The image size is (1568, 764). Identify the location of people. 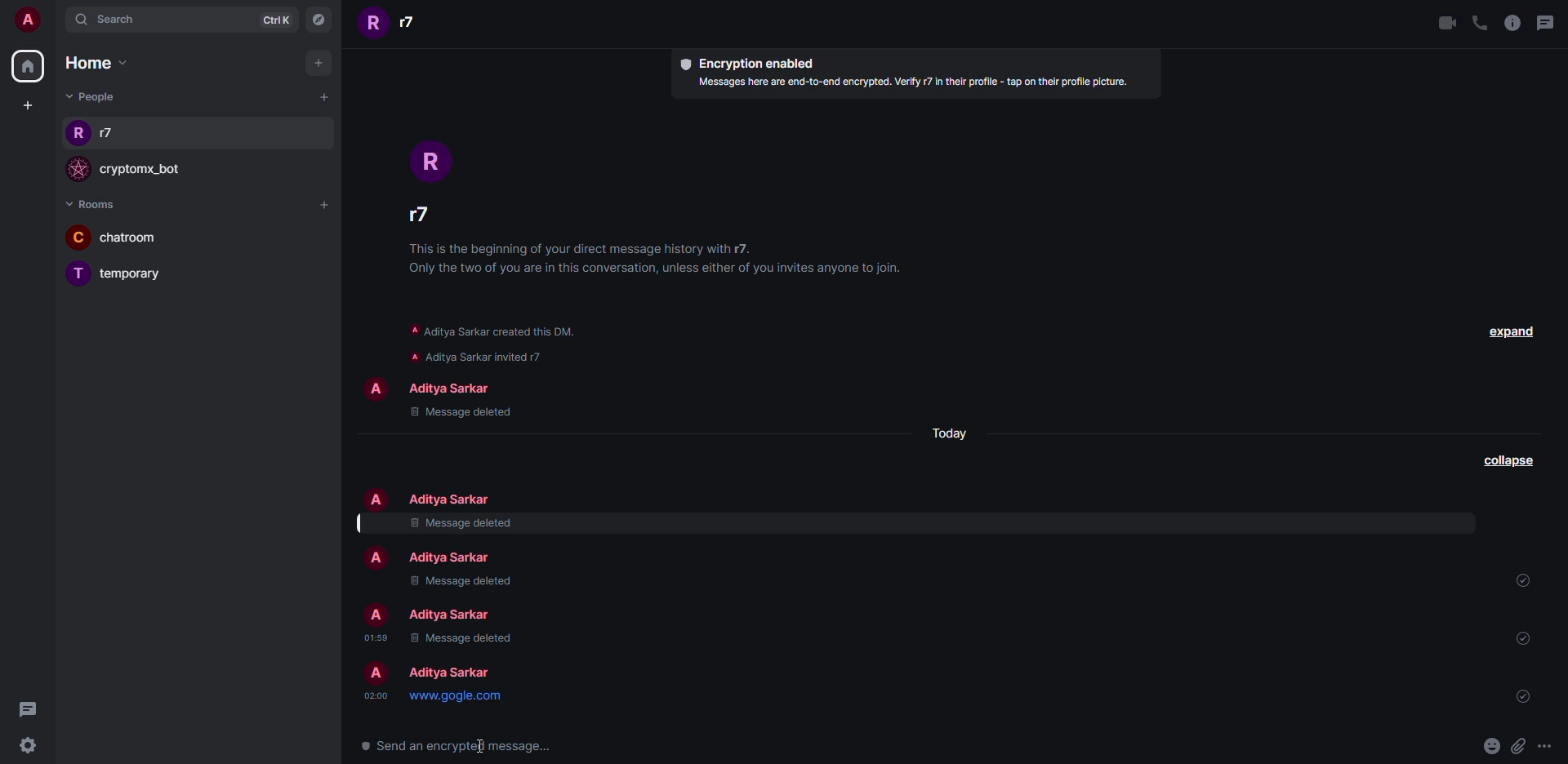
(453, 671).